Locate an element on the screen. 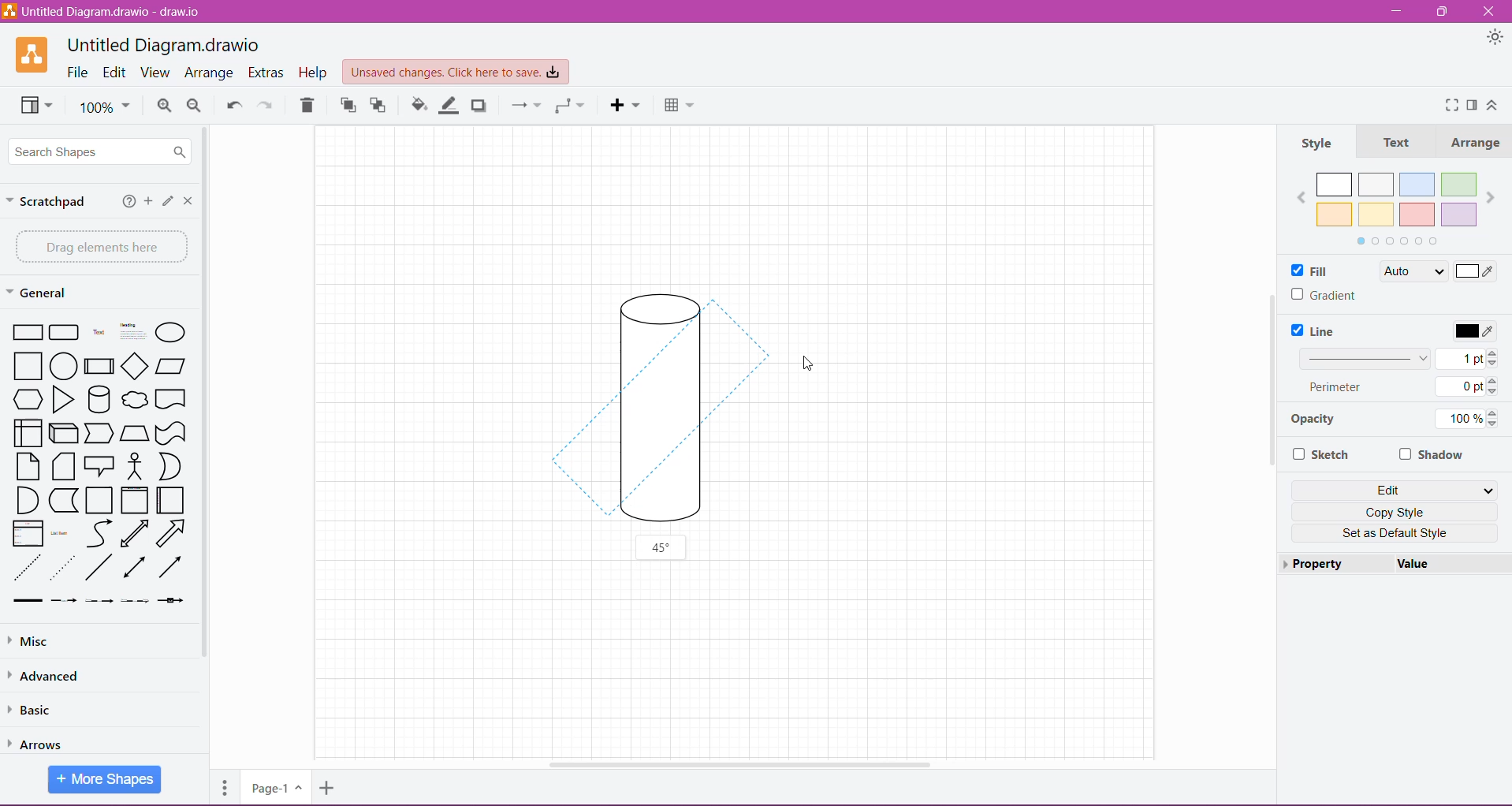  Edit is located at coordinates (114, 72).